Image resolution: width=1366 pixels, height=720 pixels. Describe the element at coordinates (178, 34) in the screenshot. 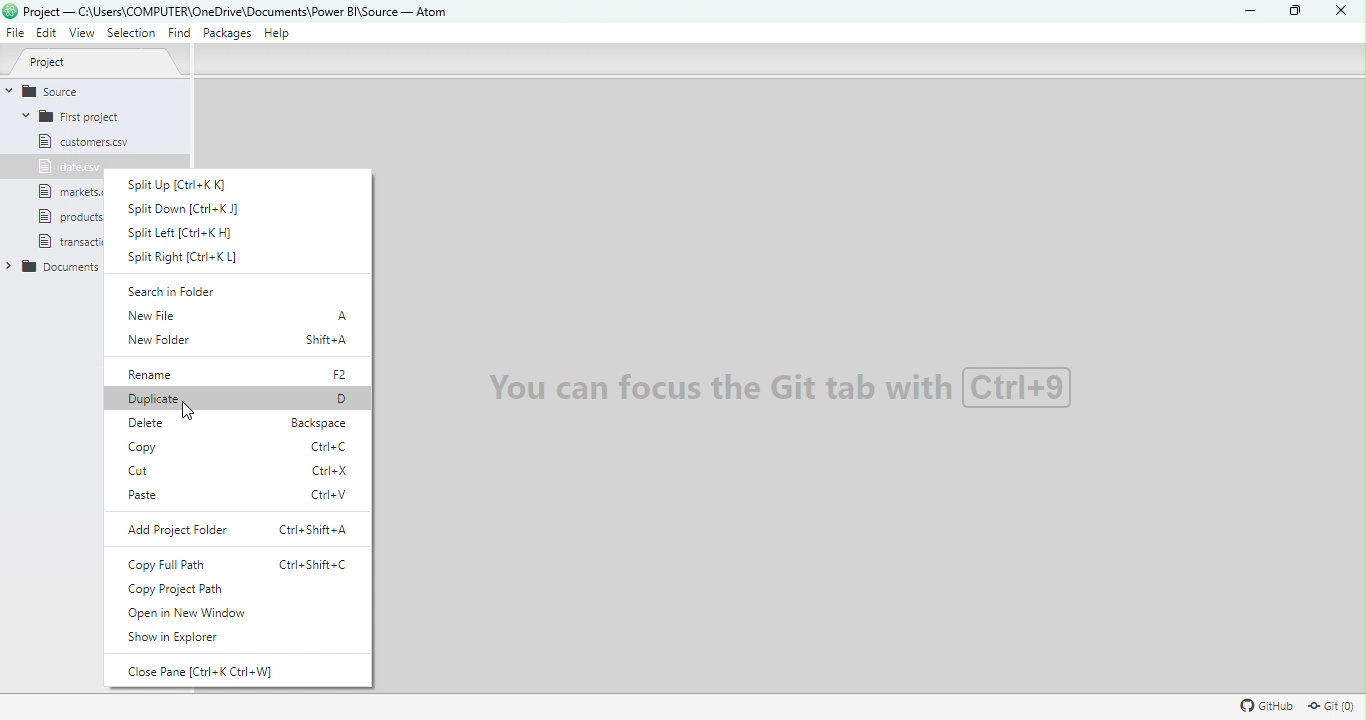

I see `Find` at that location.